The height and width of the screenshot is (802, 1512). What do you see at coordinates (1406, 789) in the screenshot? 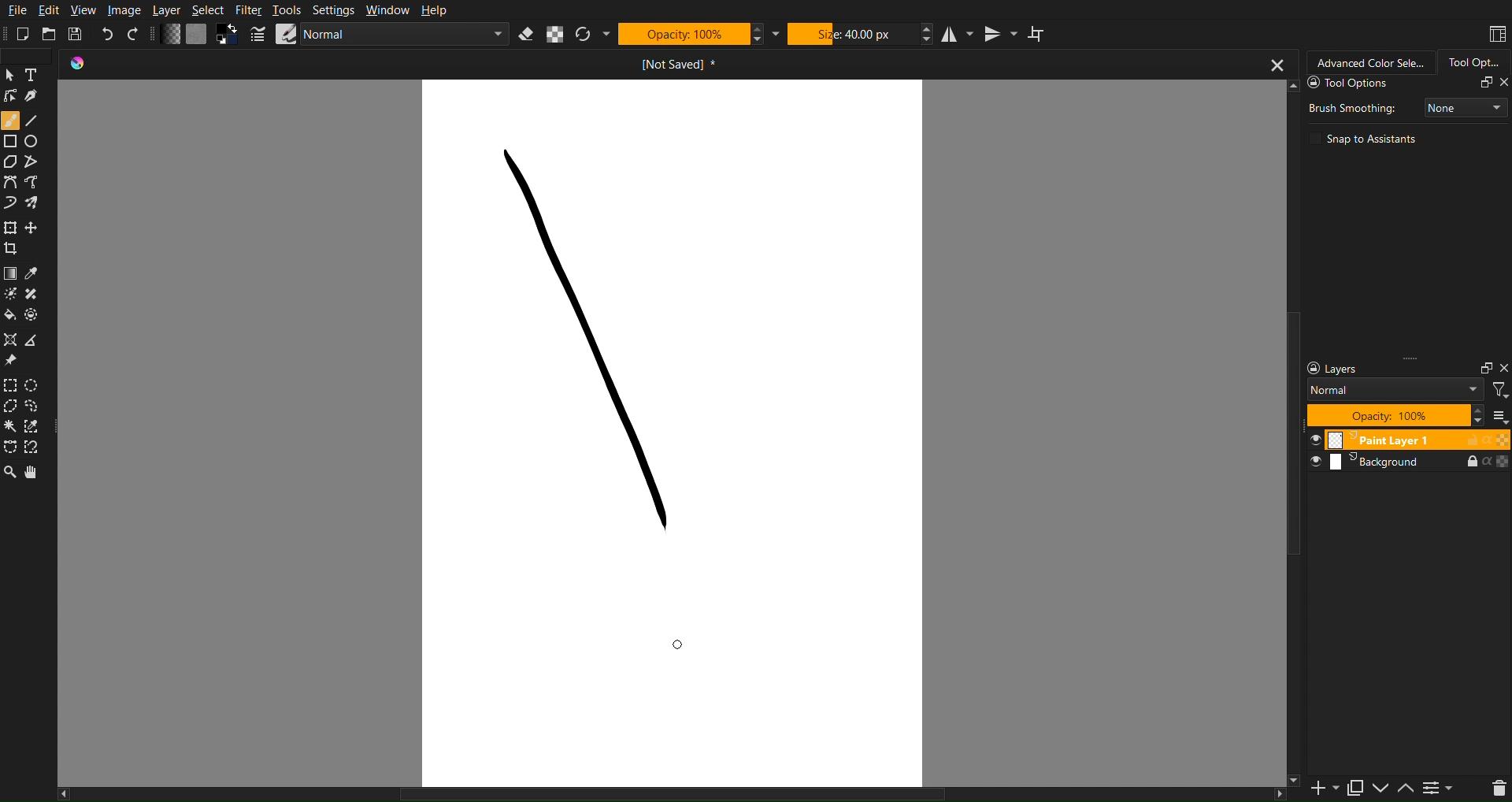
I see `Up` at bounding box center [1406, 789].